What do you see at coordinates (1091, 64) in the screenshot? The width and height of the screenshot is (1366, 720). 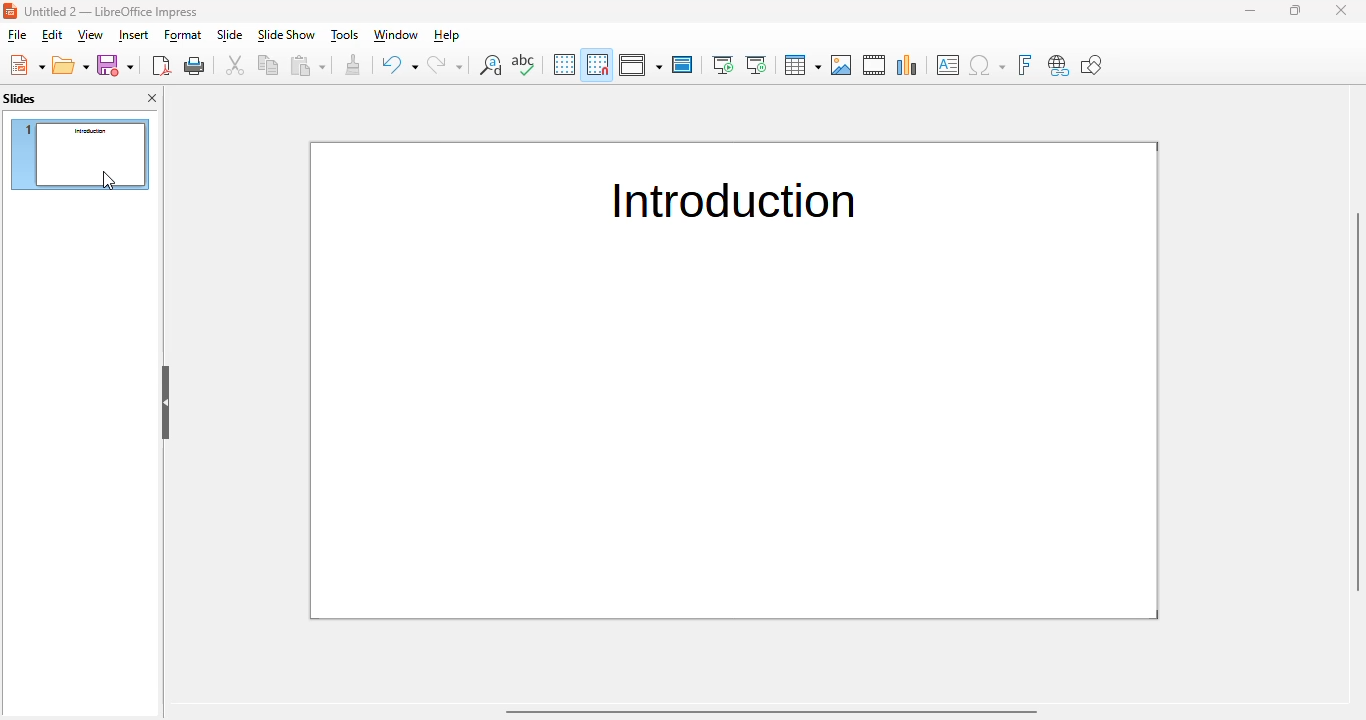 I see `show draw functions` at bounding box center [1091, 64].